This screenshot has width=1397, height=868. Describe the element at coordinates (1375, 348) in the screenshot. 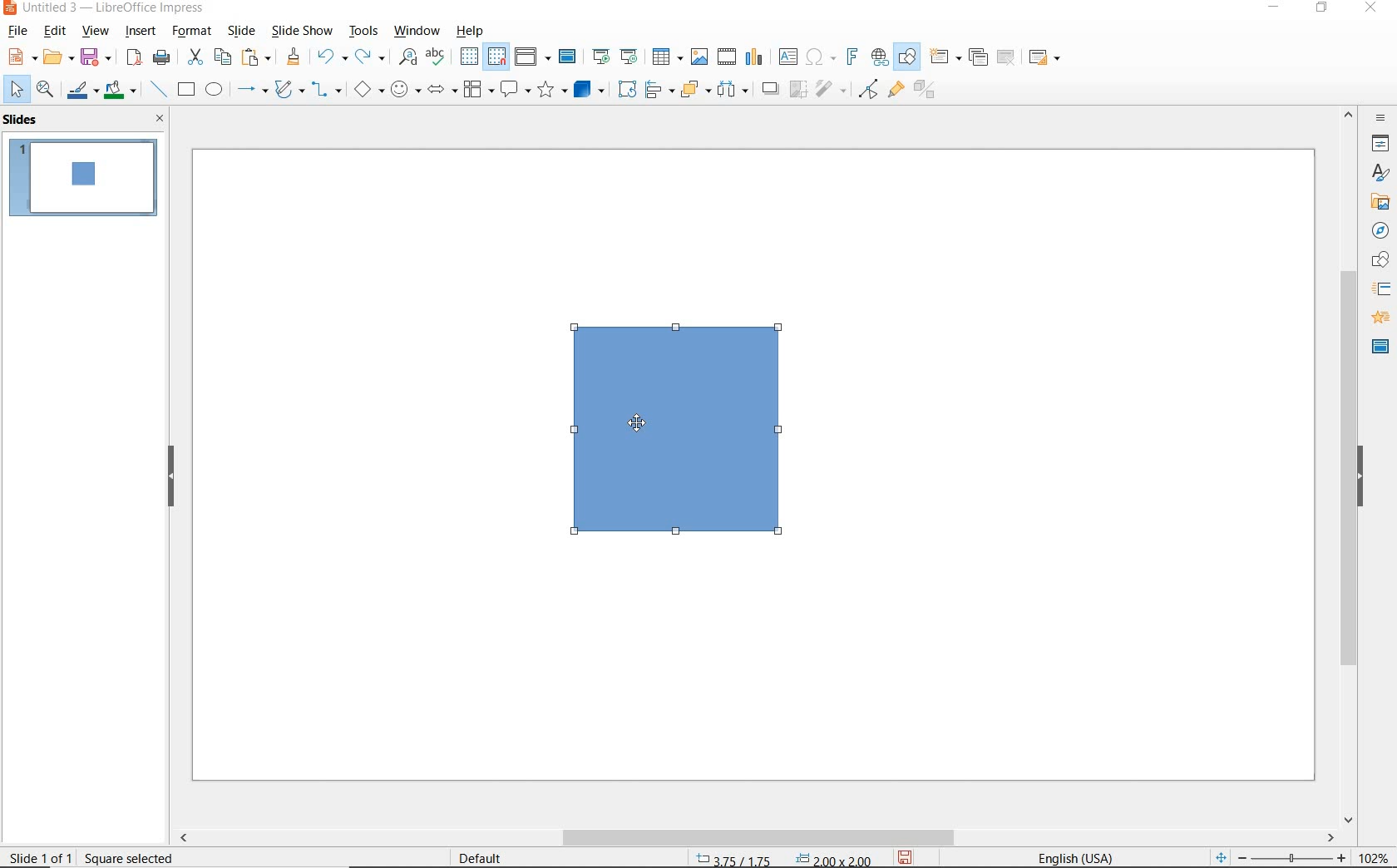

I see `master slides` at that location.